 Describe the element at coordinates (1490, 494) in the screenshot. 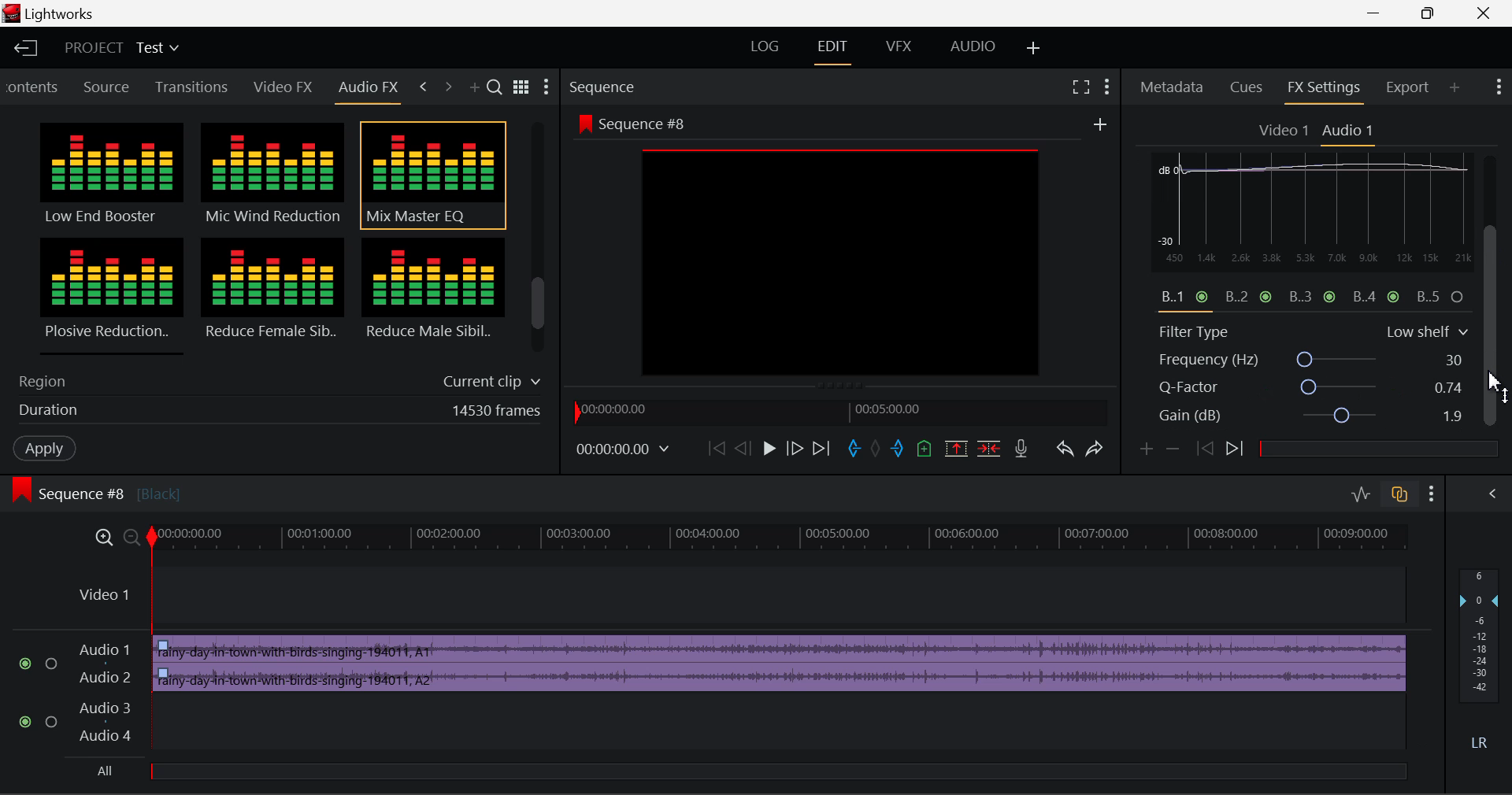

I see `Show Audio Mix` at that location.